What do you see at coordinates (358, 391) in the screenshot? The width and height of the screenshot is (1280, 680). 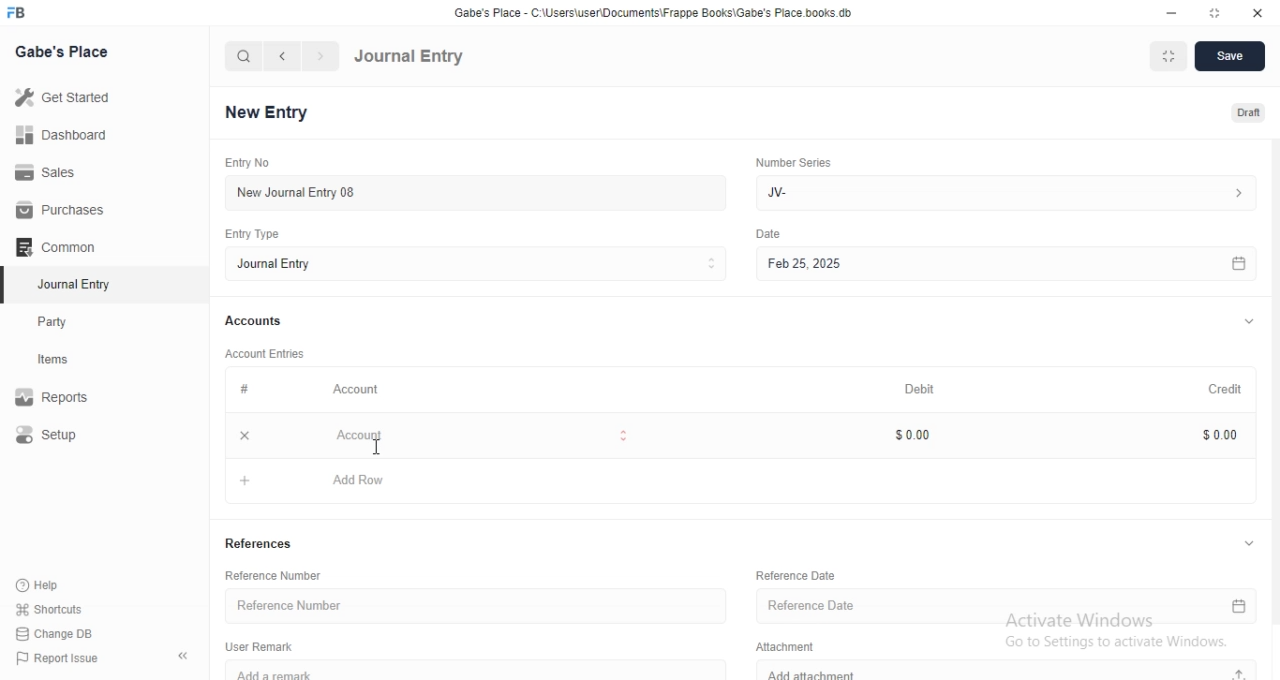 I see `Account` at bounding box center [358, 391].